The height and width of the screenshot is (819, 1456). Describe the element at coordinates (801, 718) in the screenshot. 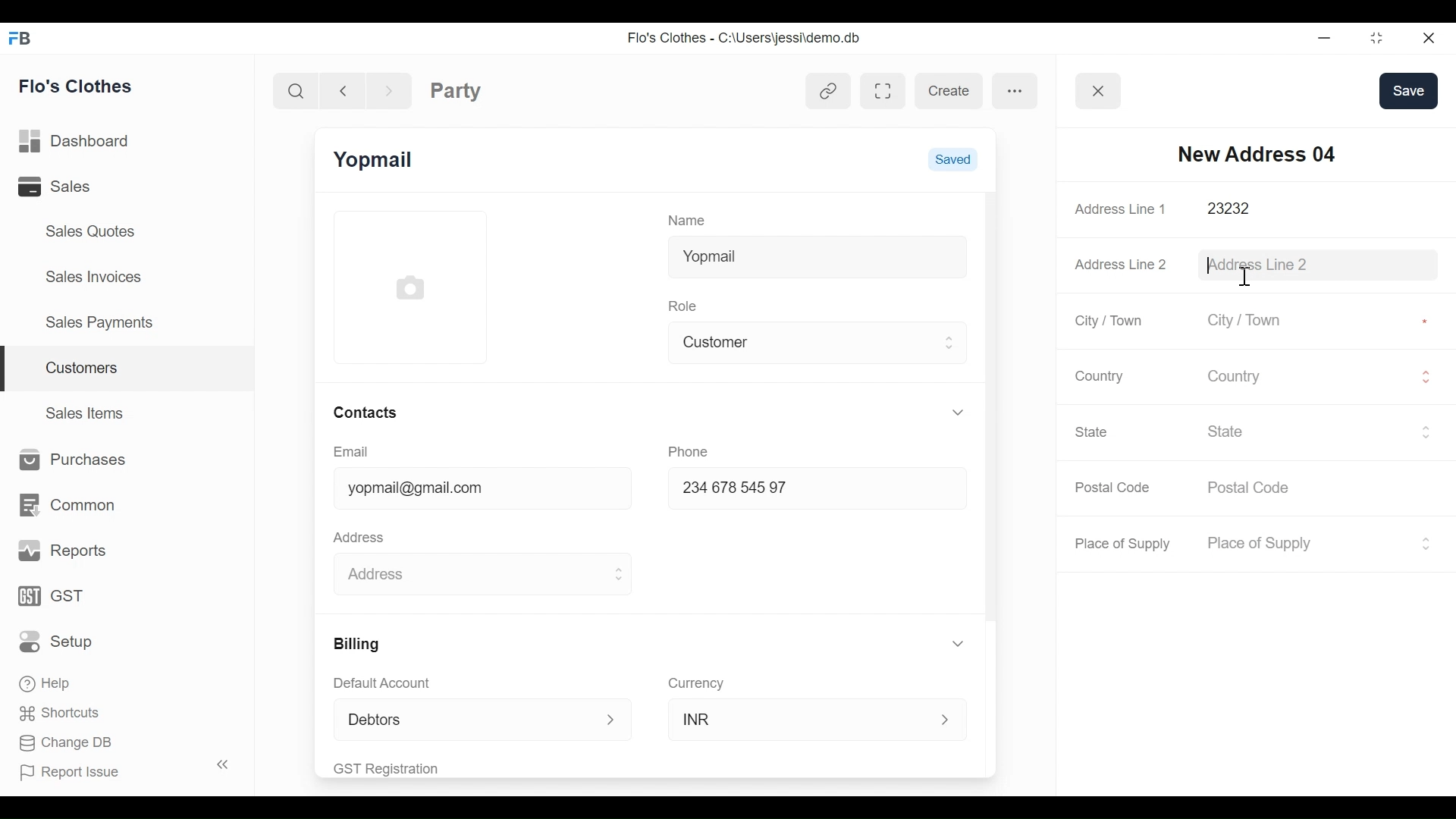

I see `INR` at that location.